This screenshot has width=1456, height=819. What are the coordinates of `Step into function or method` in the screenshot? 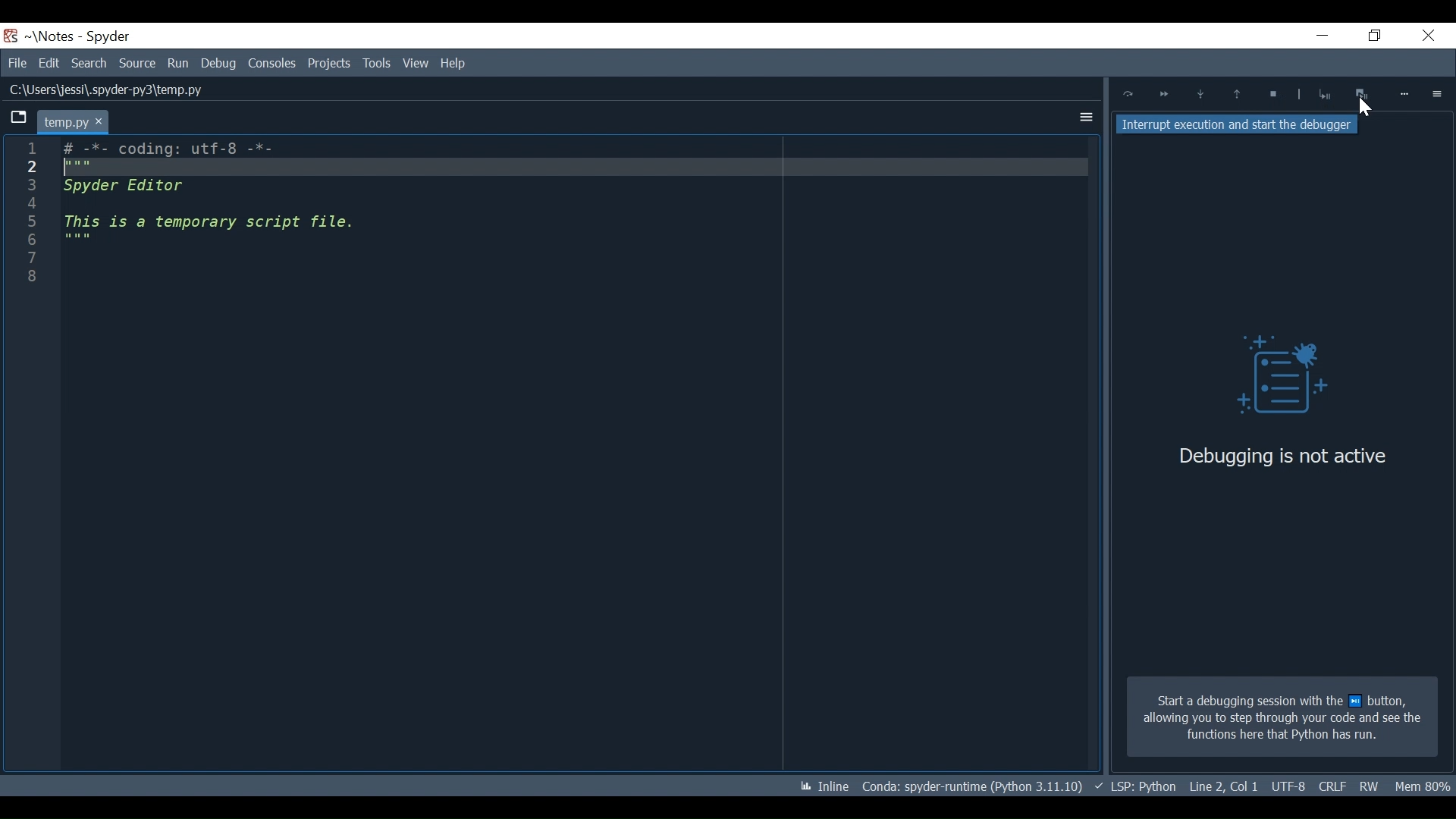 It's located at (1200, 96).